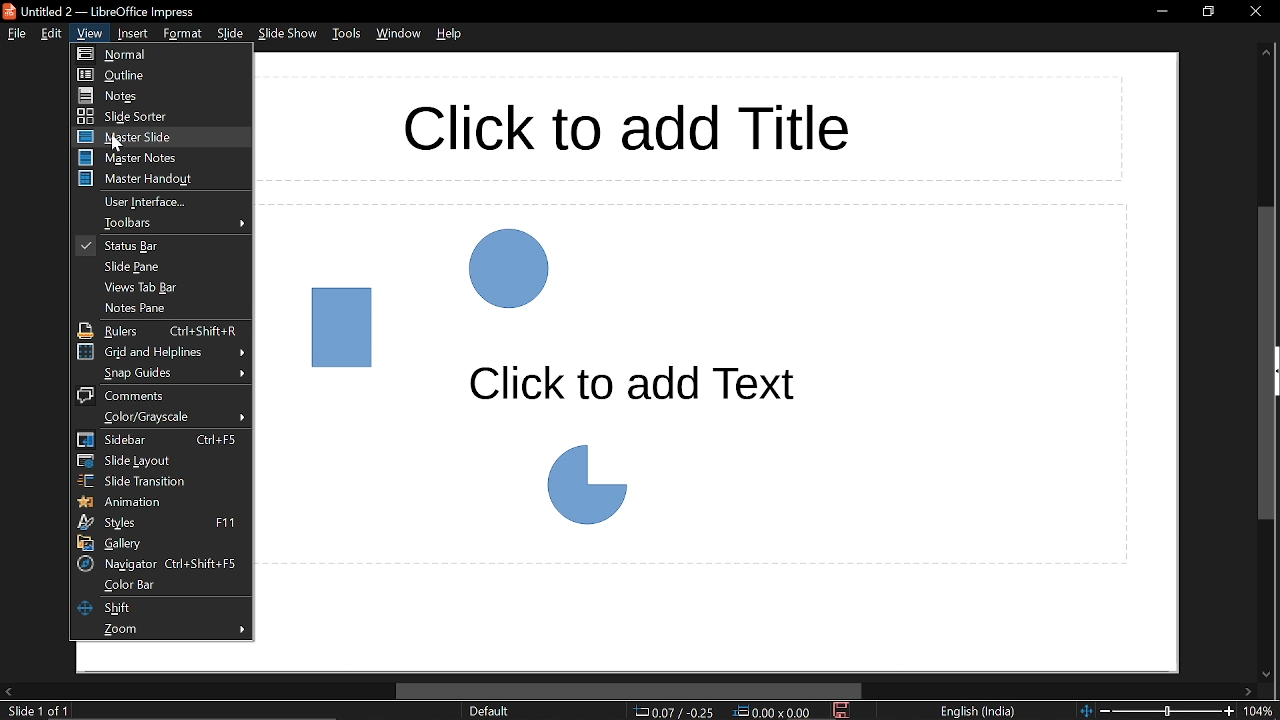 The image size is (1280, 720). I want to click on Master notes, so click(159, 158).